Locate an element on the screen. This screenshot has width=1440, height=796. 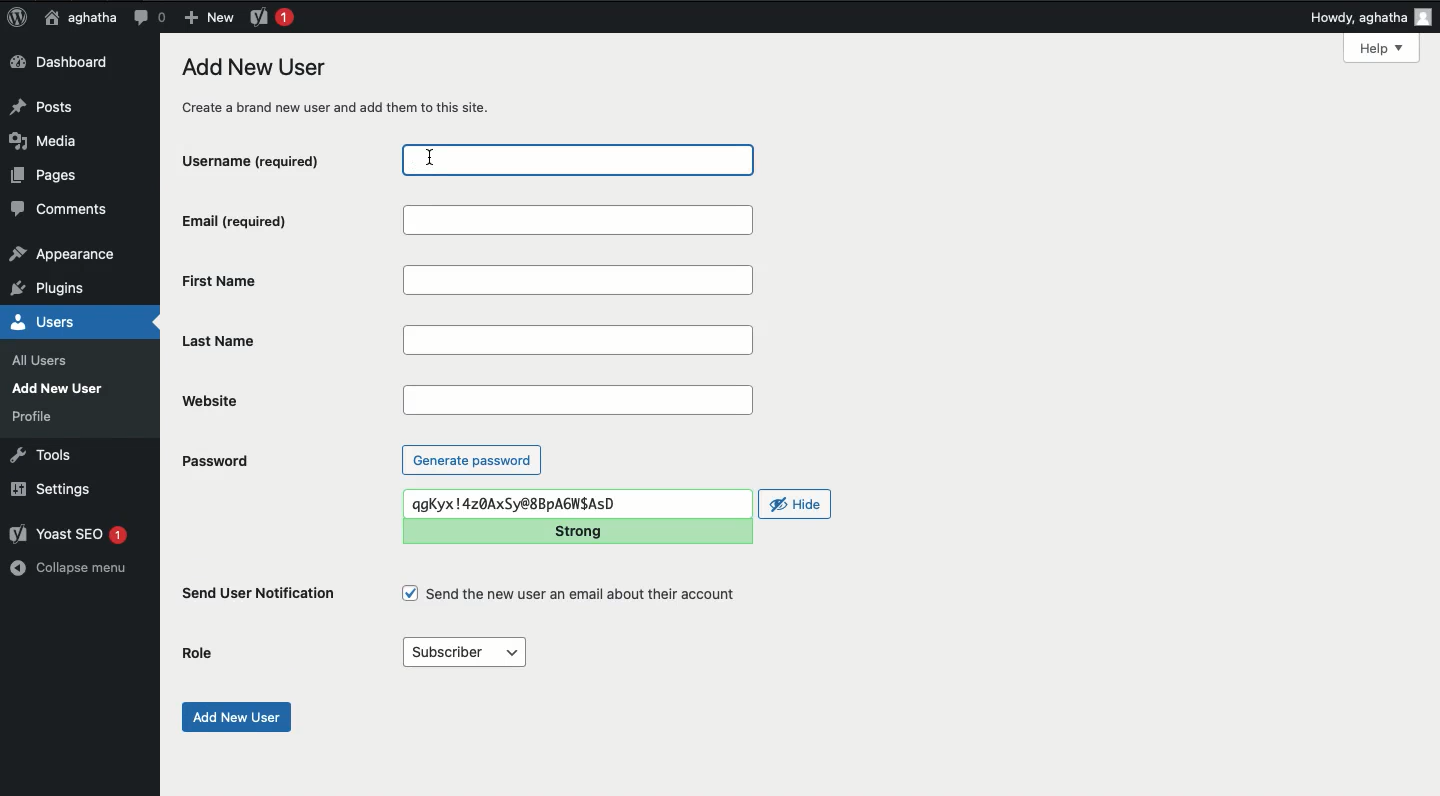
Last name is located at coordinates (288, 342).